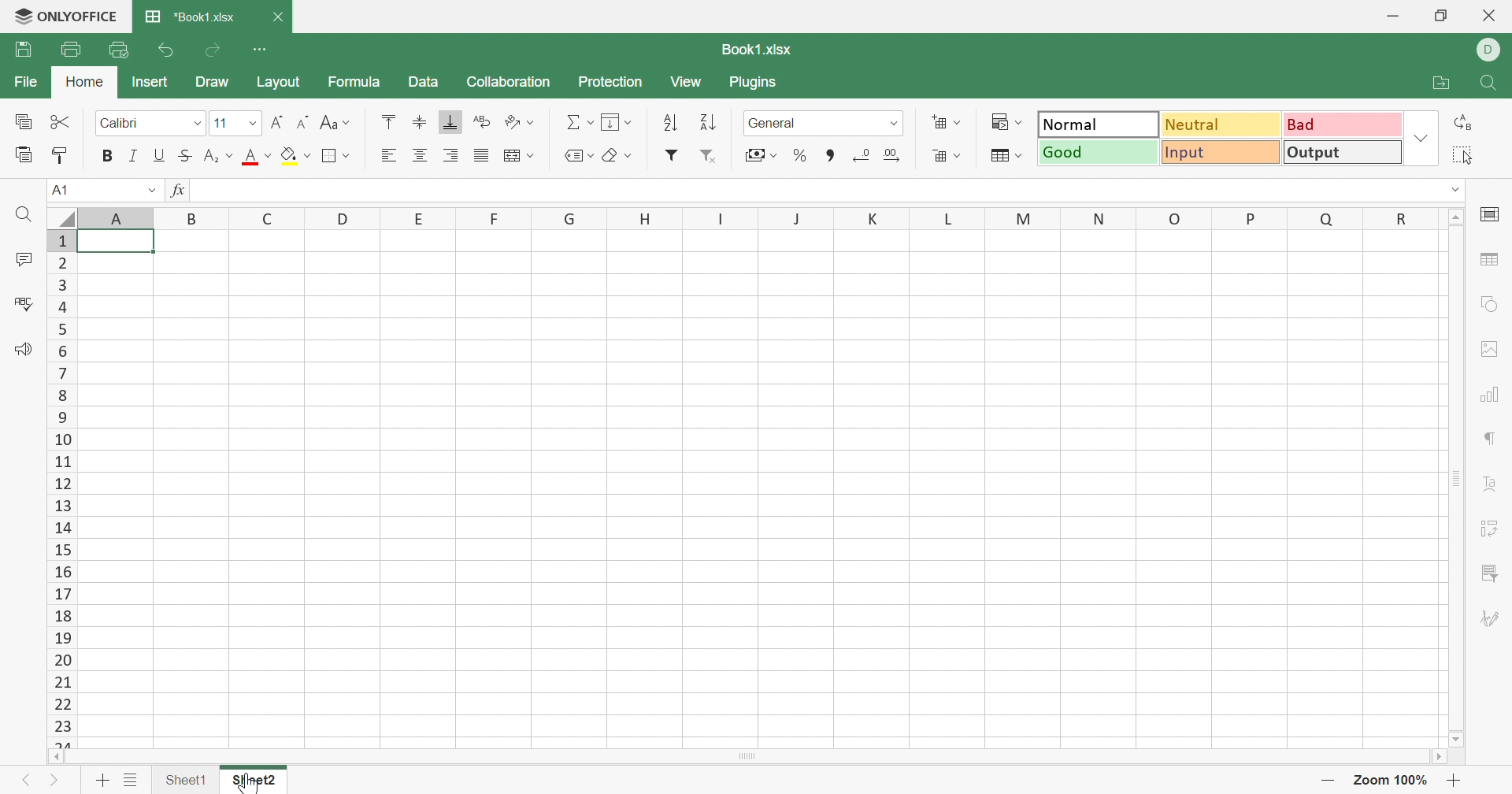 This screenshot has width=1512, height=794. What do you see at coordinates (194, 14) in the screenshot?
I see `*Book1.xlsx` at bounding box center [194, 14].